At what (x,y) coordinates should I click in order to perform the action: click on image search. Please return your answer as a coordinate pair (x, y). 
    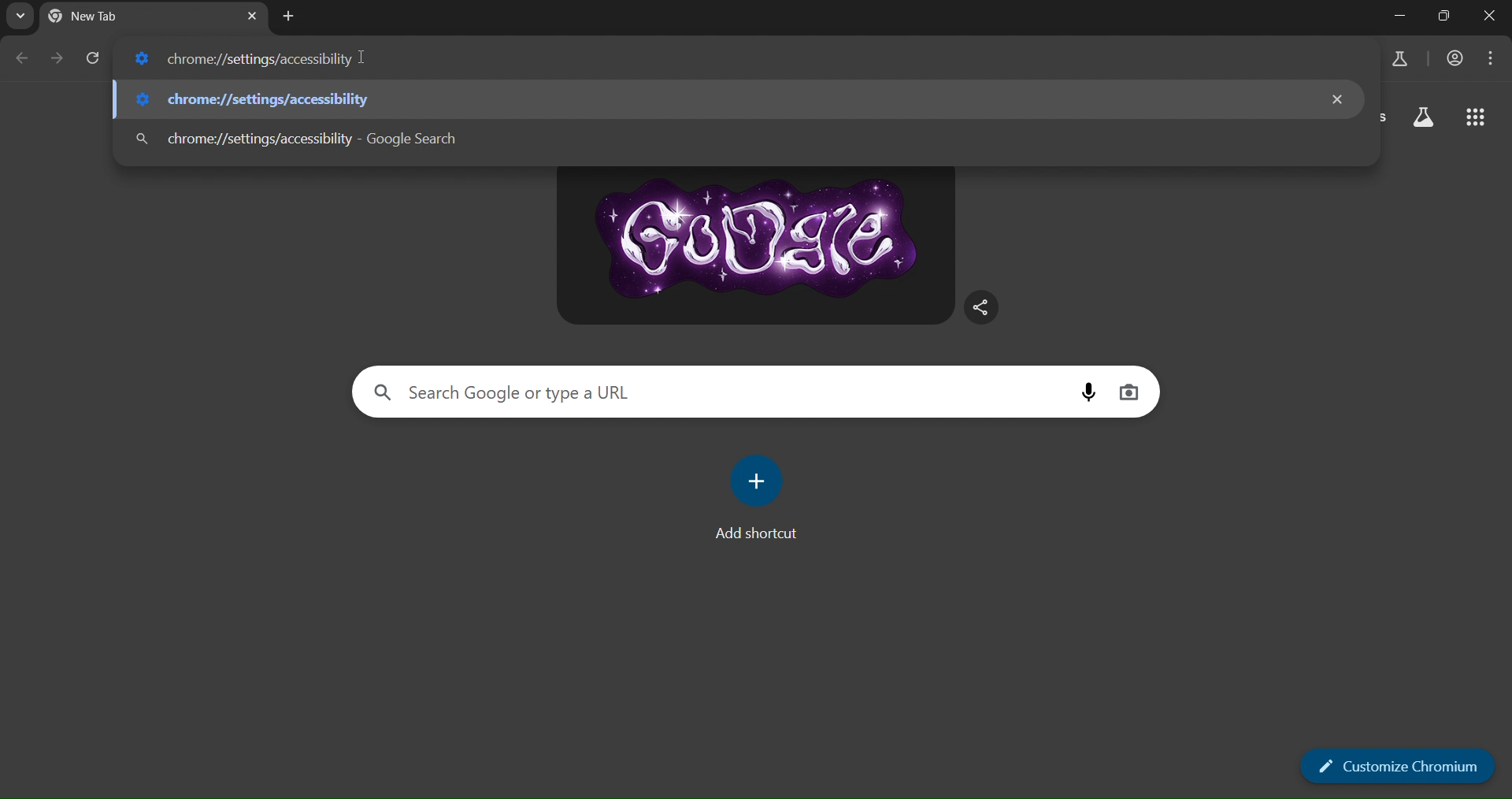
    Looking at the image, I should click on (1128, 393).